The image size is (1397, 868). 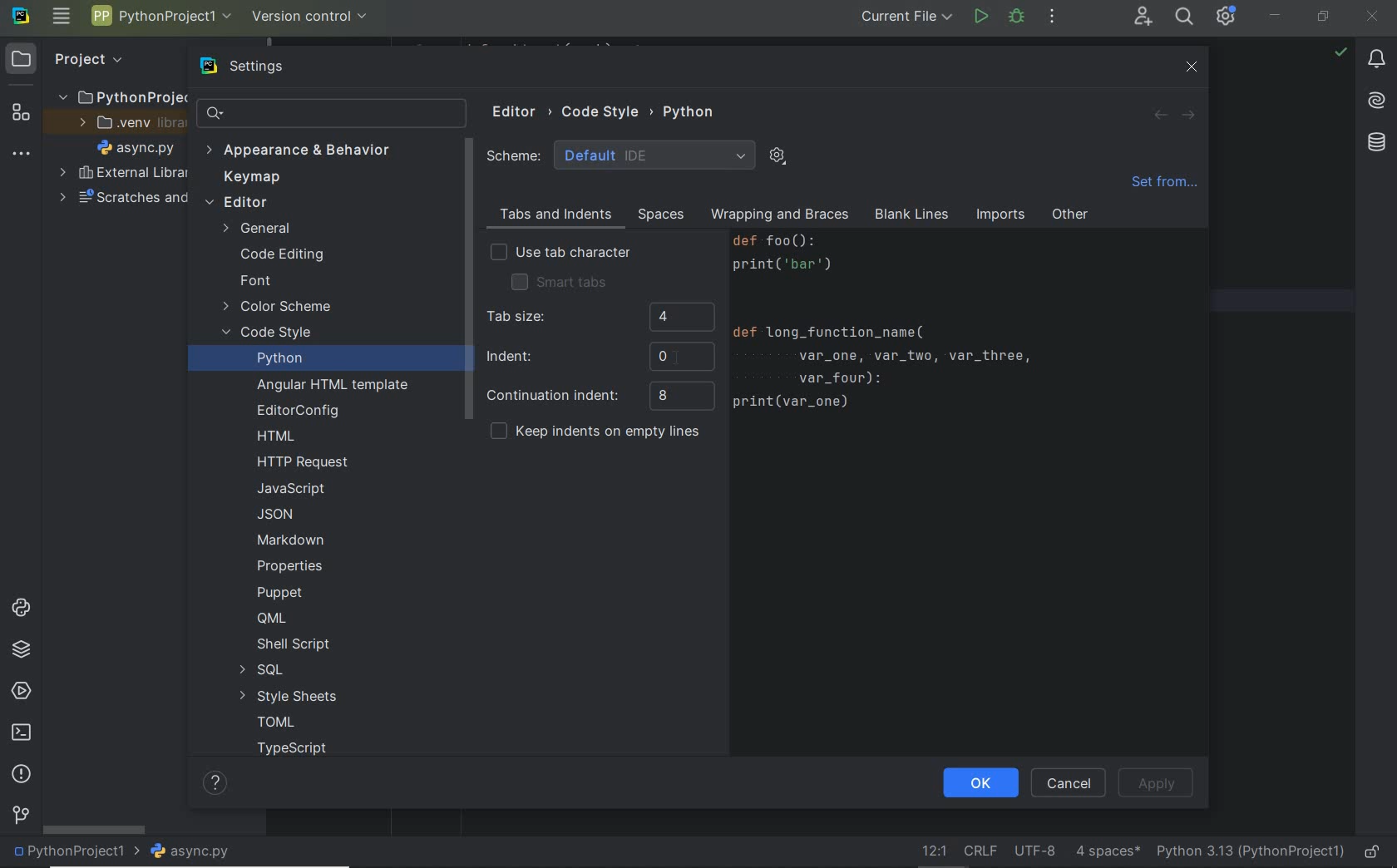 What do you see at coordinates (63, 16) in the screenshot?
I see `main menu` at bounding box center [63, 16].